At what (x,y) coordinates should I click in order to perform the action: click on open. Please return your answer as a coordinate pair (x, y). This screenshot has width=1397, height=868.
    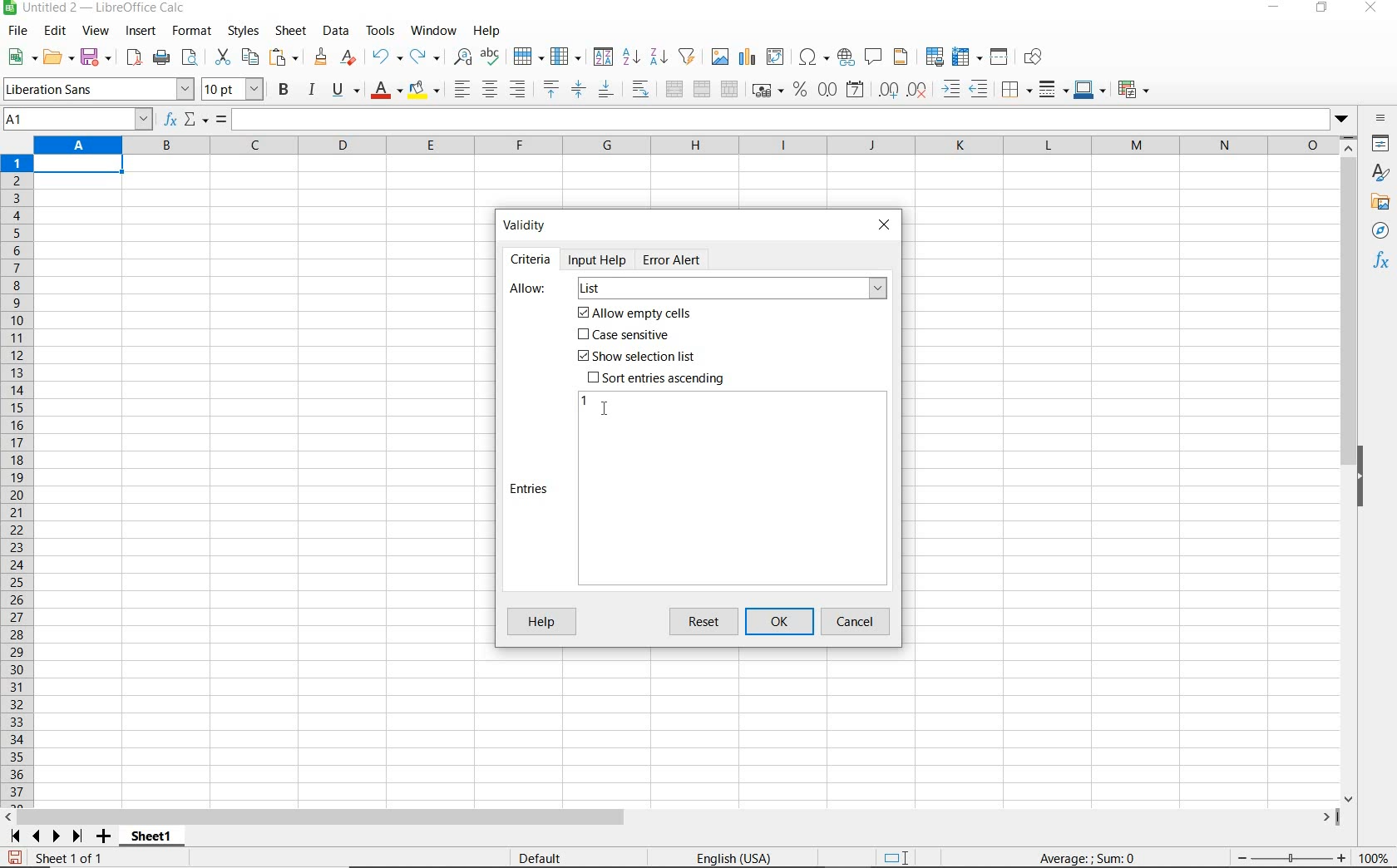
    Looking at the image, I should click on (57, 57).